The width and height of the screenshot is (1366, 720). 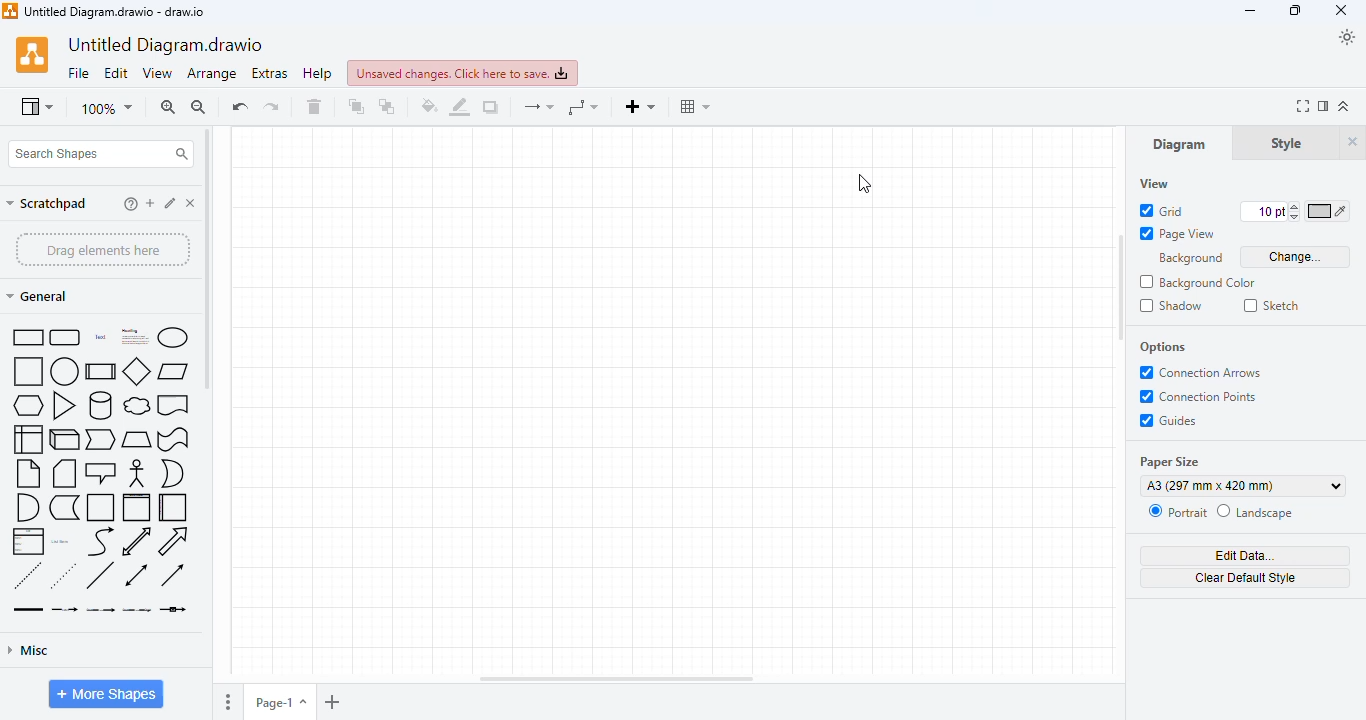 What do you see at coordinates (172, 574) in the screenshot?
I see `directional connector` at bounding box center [172, 574].